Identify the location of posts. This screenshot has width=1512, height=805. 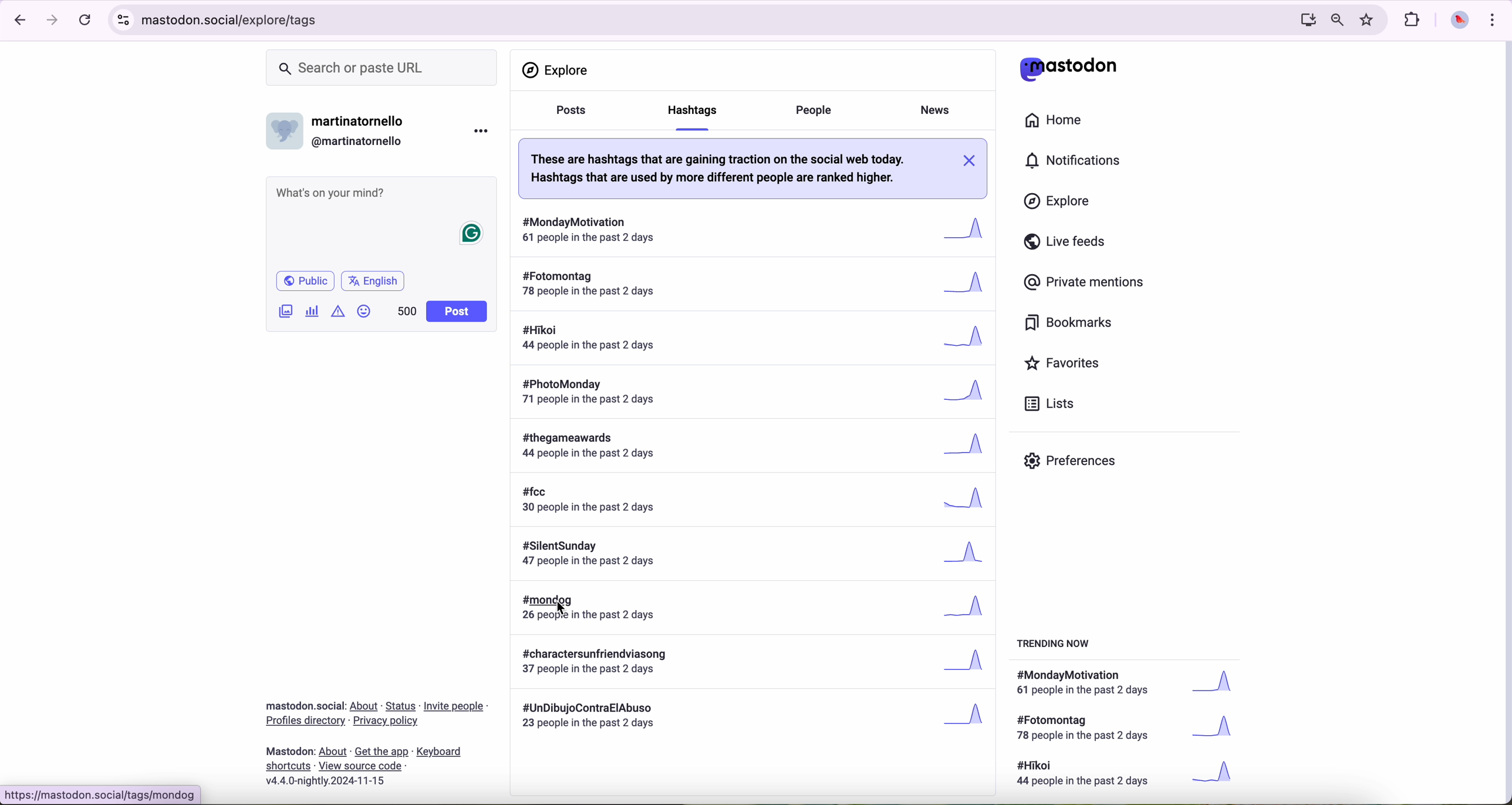
(571, 117).